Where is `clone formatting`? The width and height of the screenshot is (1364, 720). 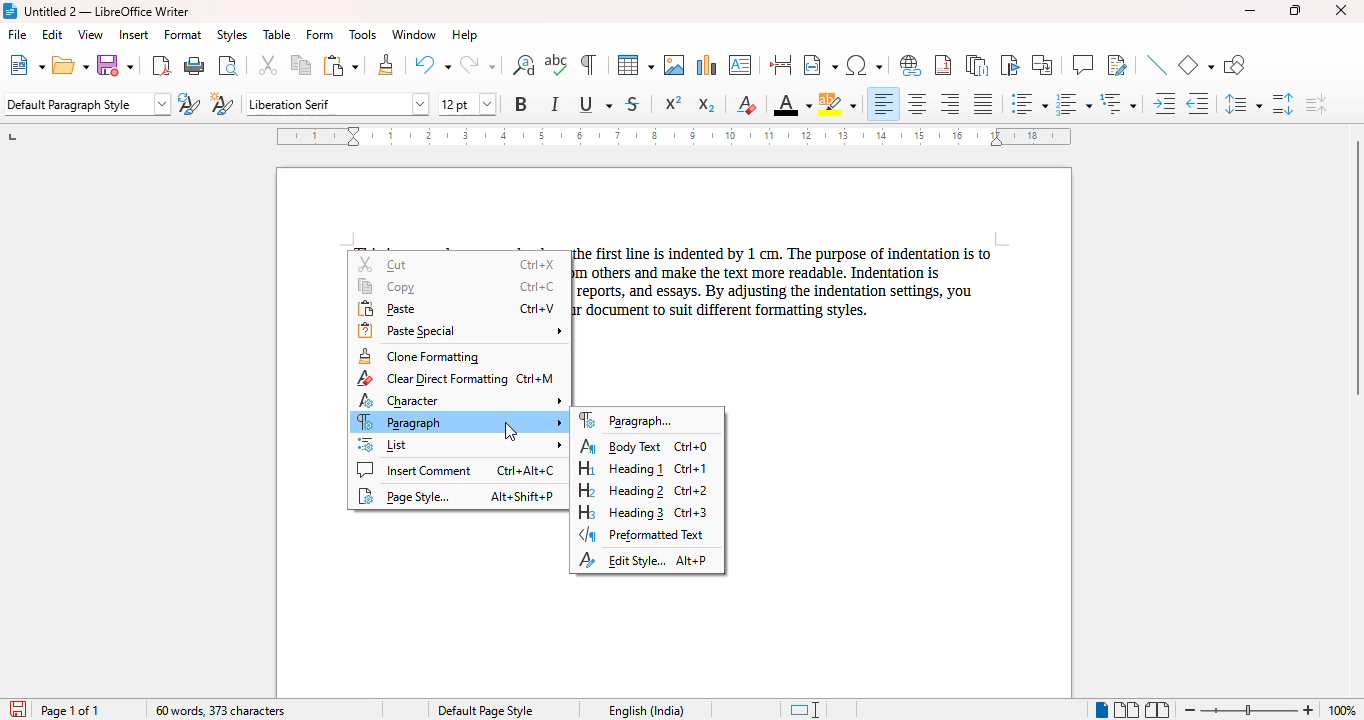 clone formatting is located at coordinates (385, 65).